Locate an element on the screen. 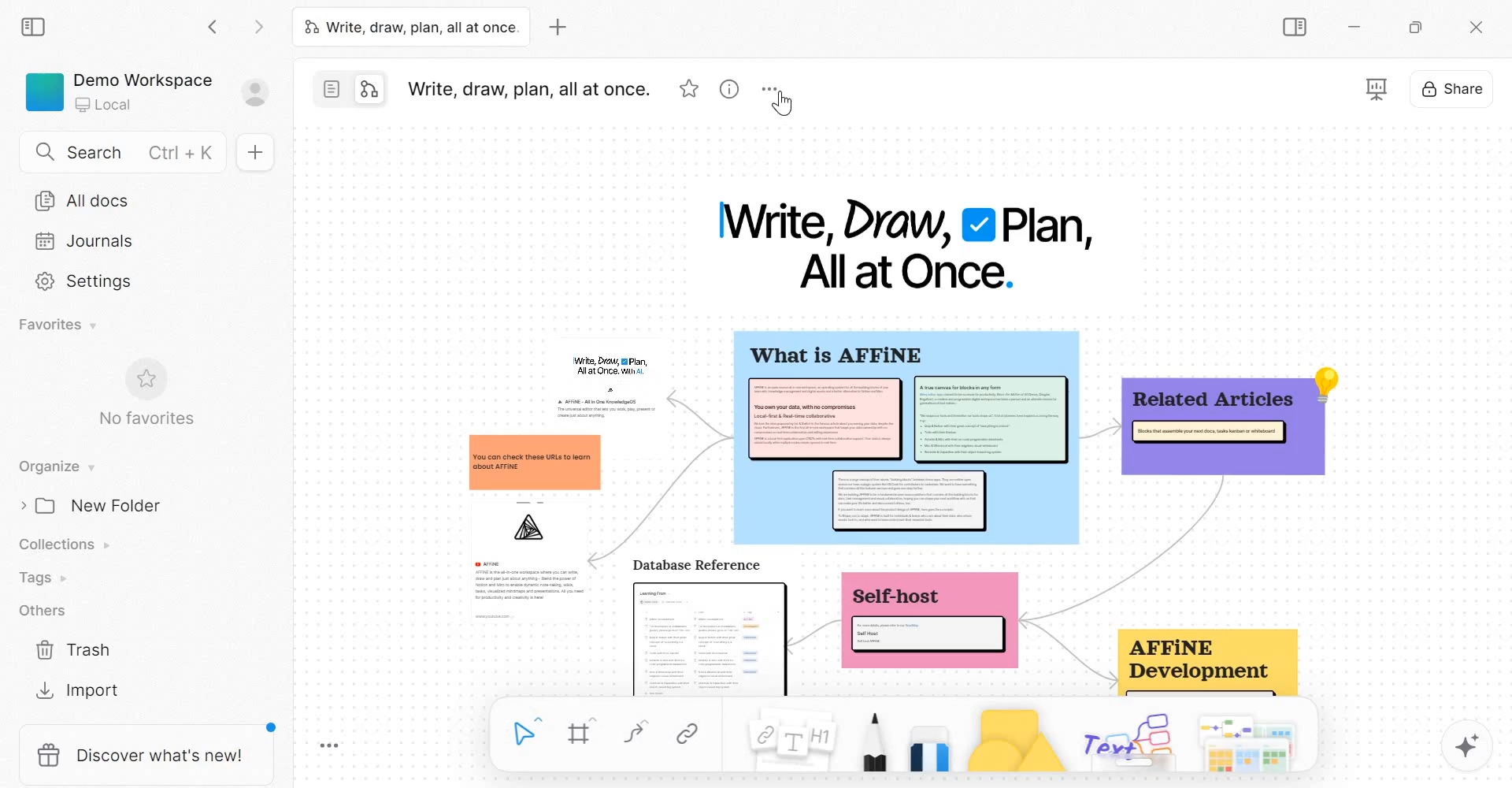 This screenshot has height=788, width=1512. Maximize is located at coordinates (1417, 28).